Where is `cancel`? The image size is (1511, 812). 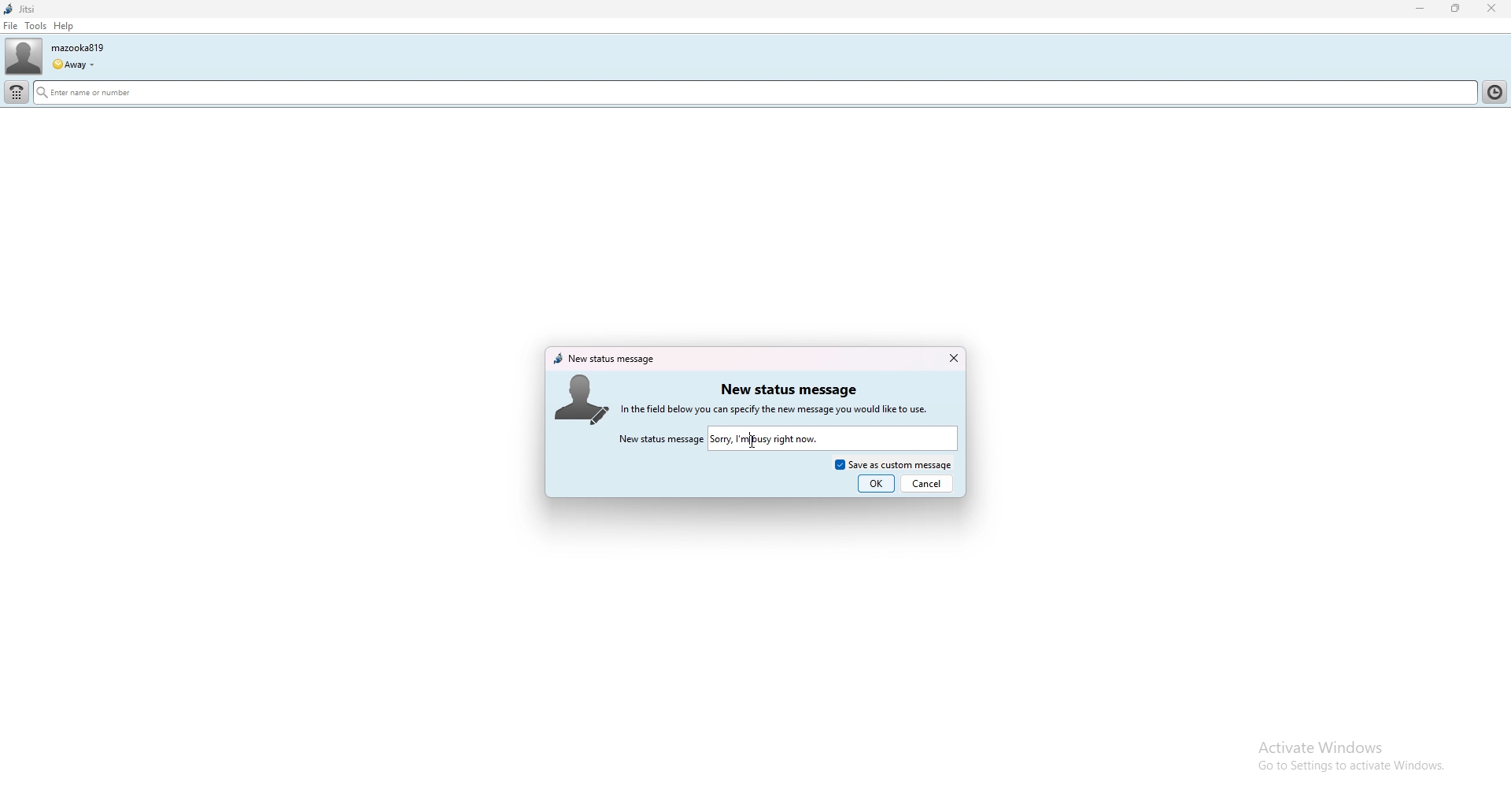
cancel is located at coordinates (928, 483).